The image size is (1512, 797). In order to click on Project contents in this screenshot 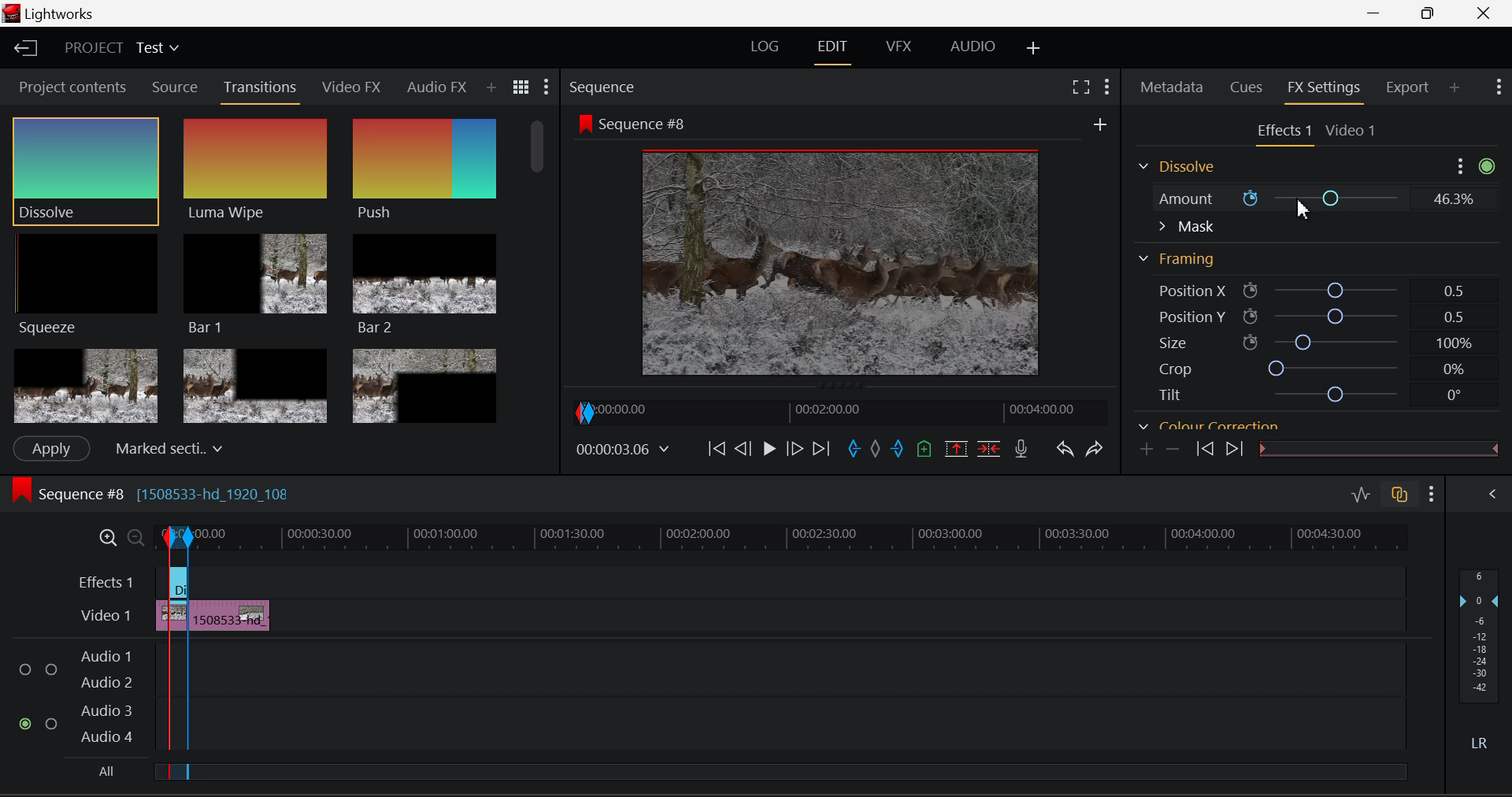, I will do `click(70, 86)`.